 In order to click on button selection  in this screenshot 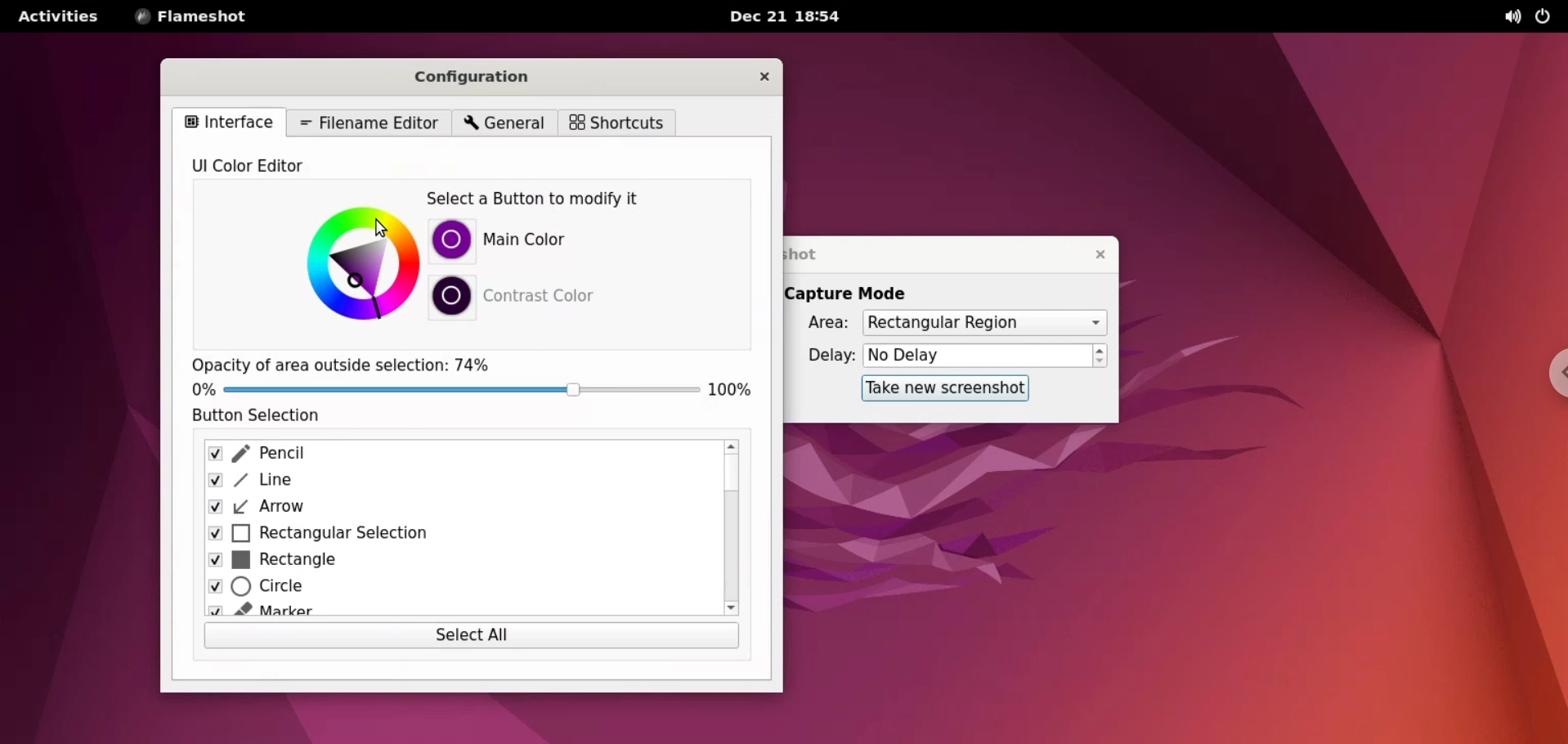, I will do `click(263, 419)`.